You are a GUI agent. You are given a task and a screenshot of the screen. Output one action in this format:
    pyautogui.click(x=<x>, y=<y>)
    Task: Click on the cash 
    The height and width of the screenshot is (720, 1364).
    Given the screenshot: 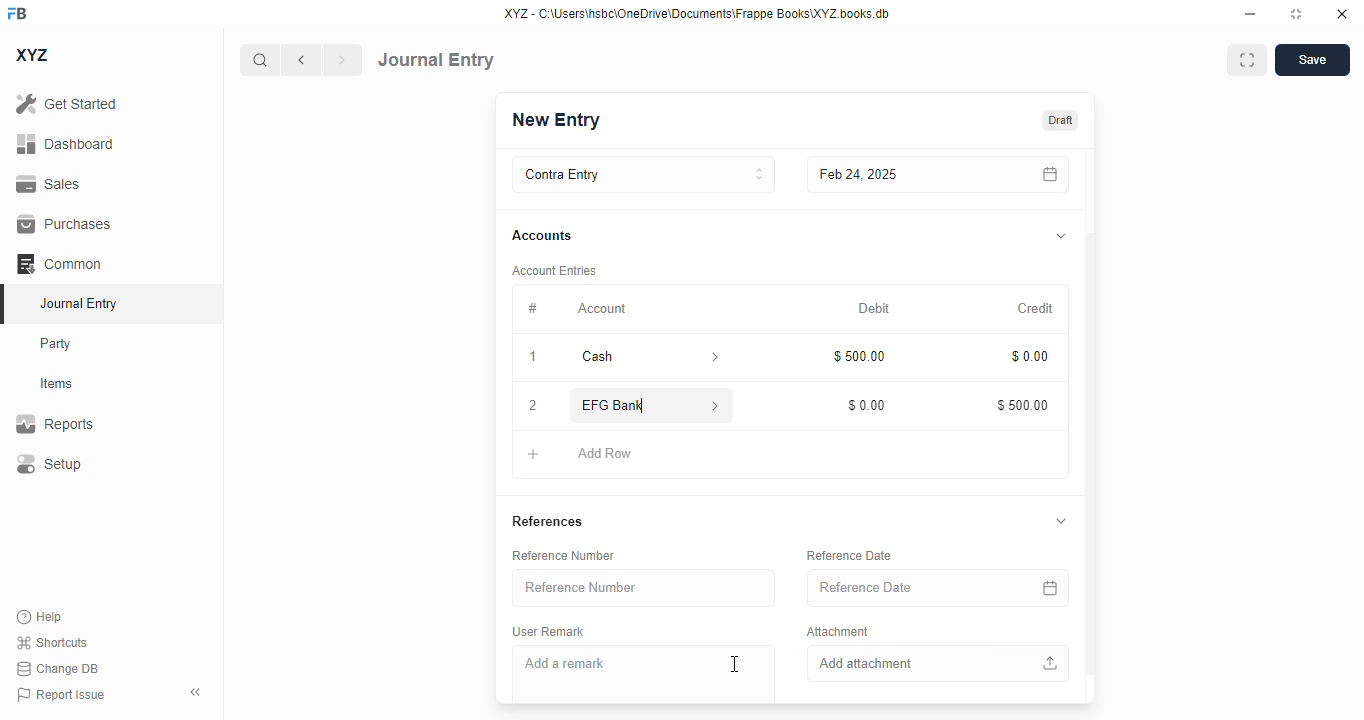 What is the action you would take?
    pyautogui.click(x=621, y=357)
    